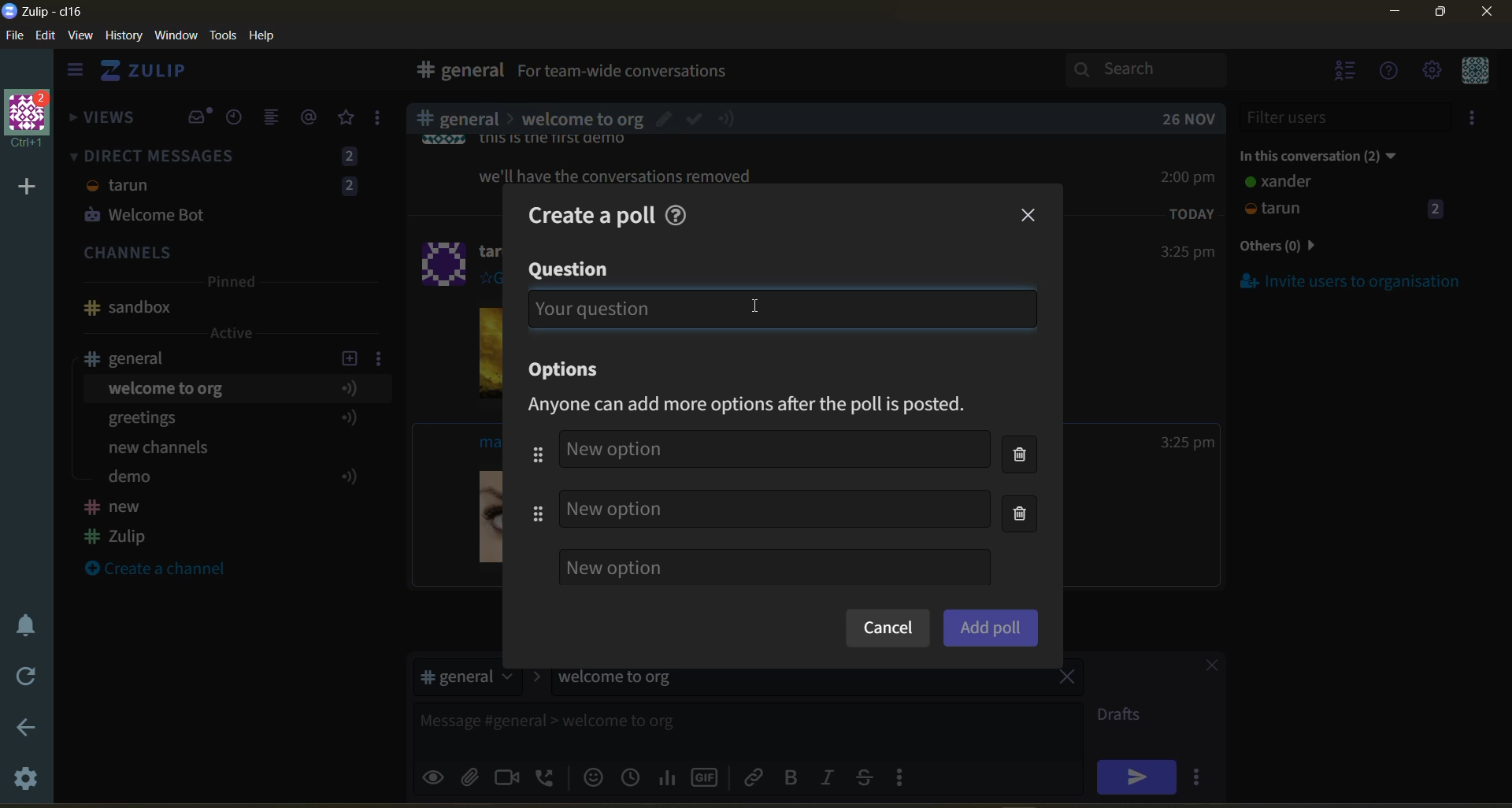 The height and width of the screenshot is (808, 1512). Describe the element at coordinates (268, 36) in the screenshot. I see `help` at that location.